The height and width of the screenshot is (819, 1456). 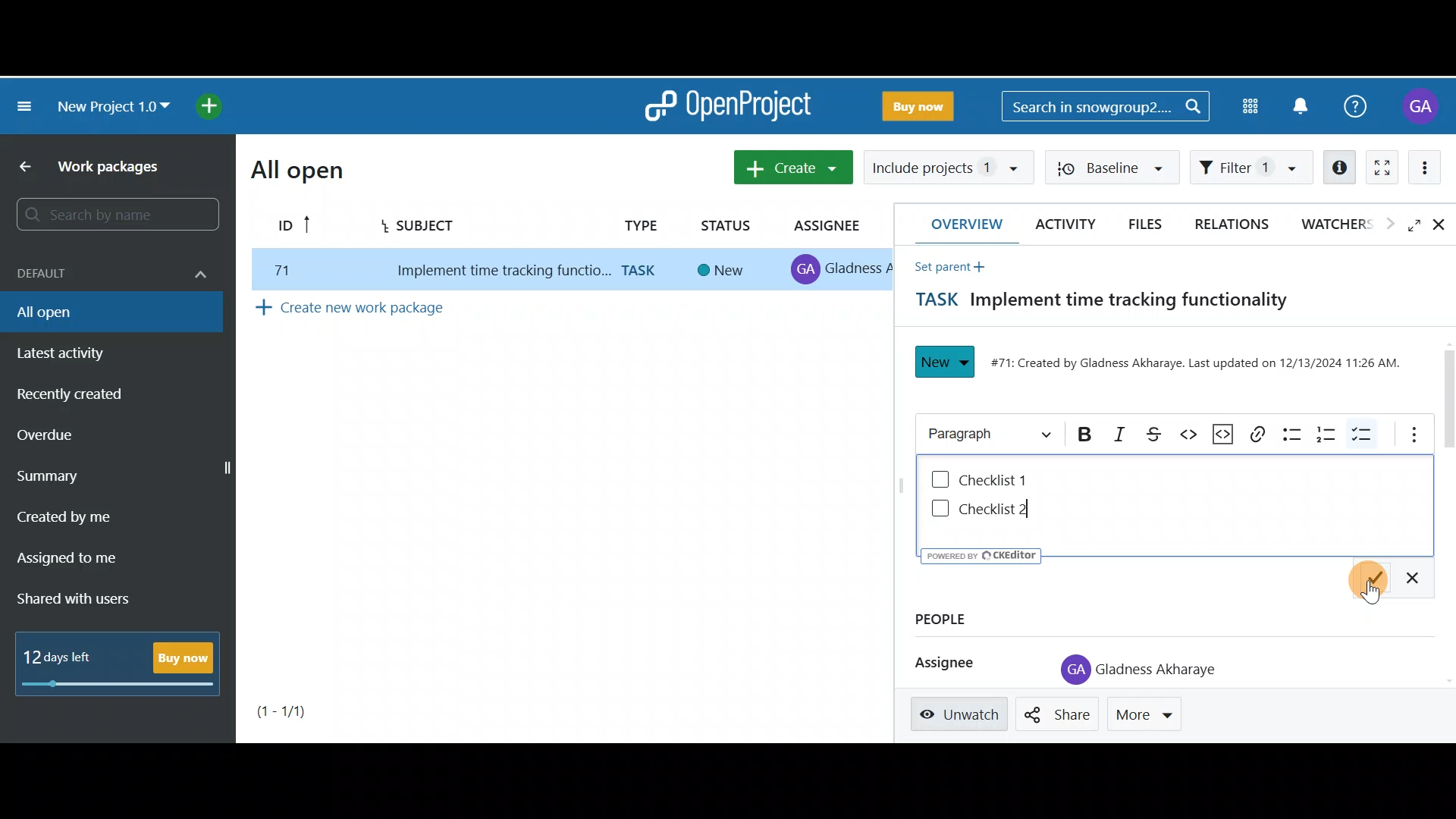 What do you see at coordinates (1407, 432) in the screenshot?
I see `More options` at bounding box center [1407, 432].